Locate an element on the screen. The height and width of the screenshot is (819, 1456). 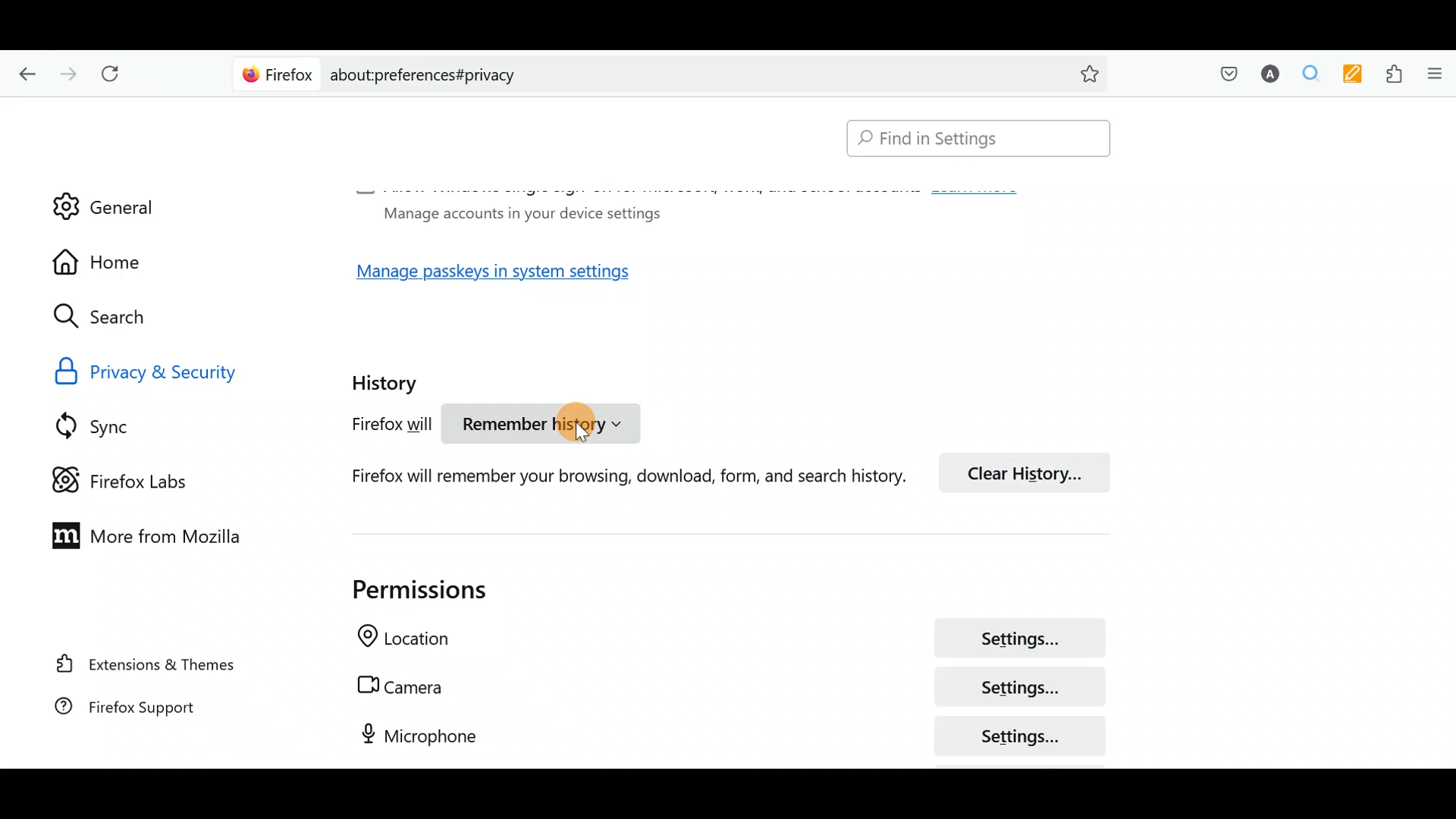
Firefox labs is located at coordinates (133, 479).